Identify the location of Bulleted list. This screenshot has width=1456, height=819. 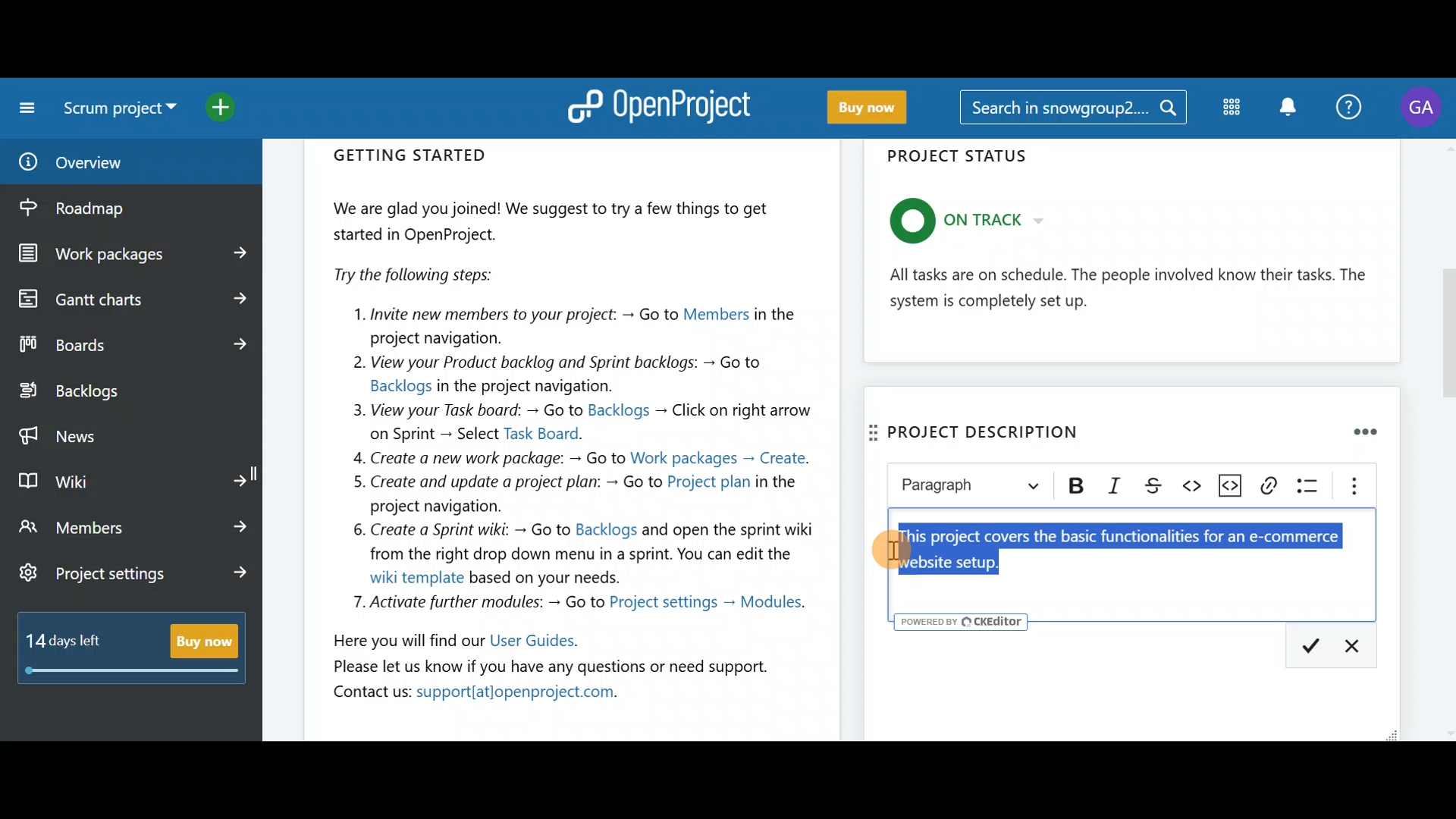
(1309, 492).